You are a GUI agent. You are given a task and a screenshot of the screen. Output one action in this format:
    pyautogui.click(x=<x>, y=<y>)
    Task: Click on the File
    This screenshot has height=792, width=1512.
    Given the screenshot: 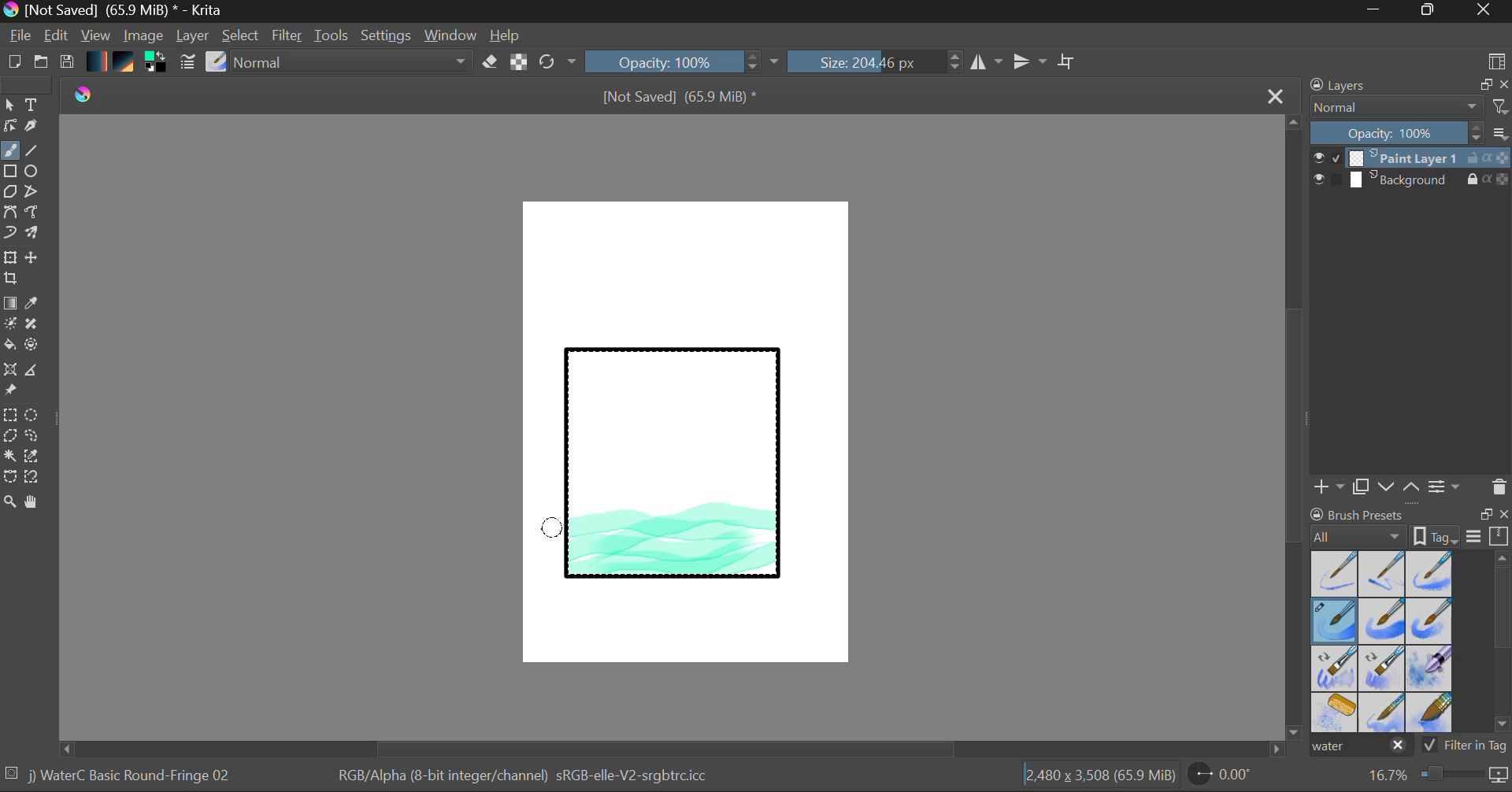 What is the action you would take?
    pyautogui.click(x=20, y=38)
    